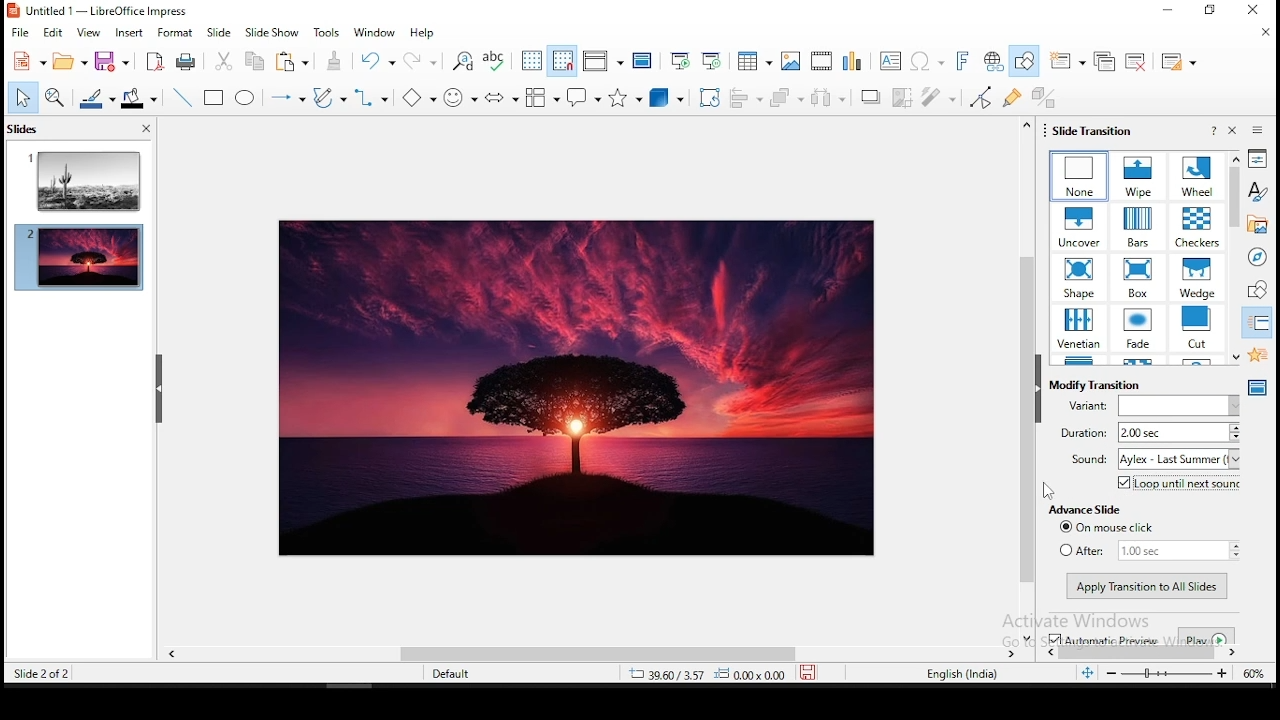  Describe the element at coordinates (1138, 277) in the screenshot. I see `transition effects` at that location.